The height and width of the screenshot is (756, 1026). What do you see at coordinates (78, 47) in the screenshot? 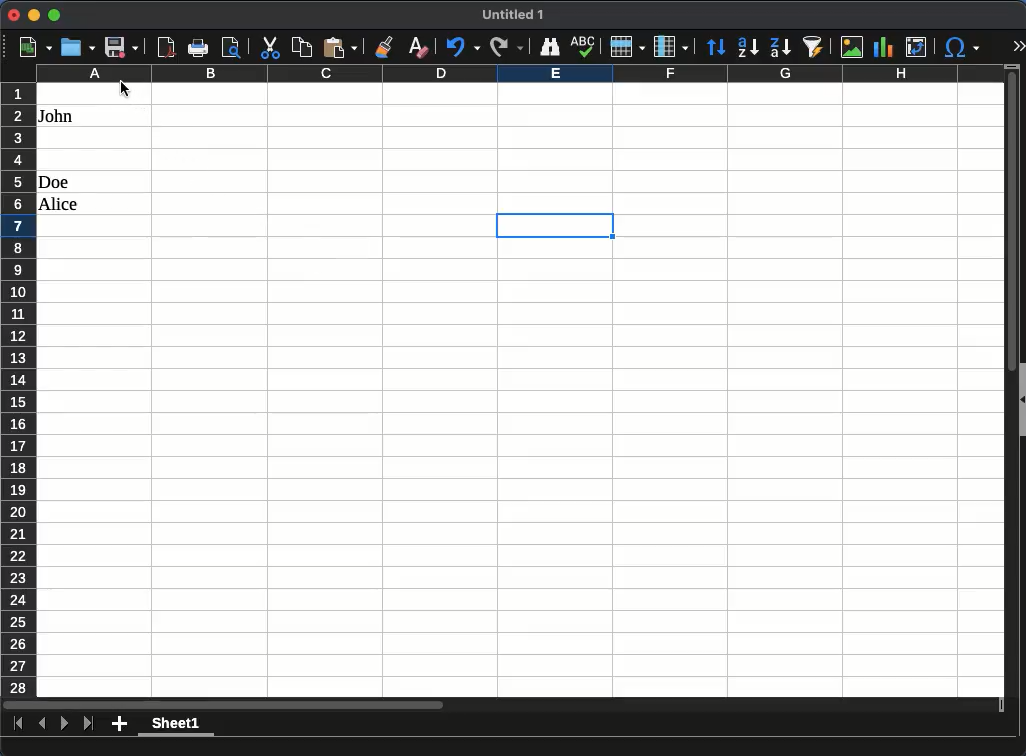
I see `open` at bounding box center [78, 47].